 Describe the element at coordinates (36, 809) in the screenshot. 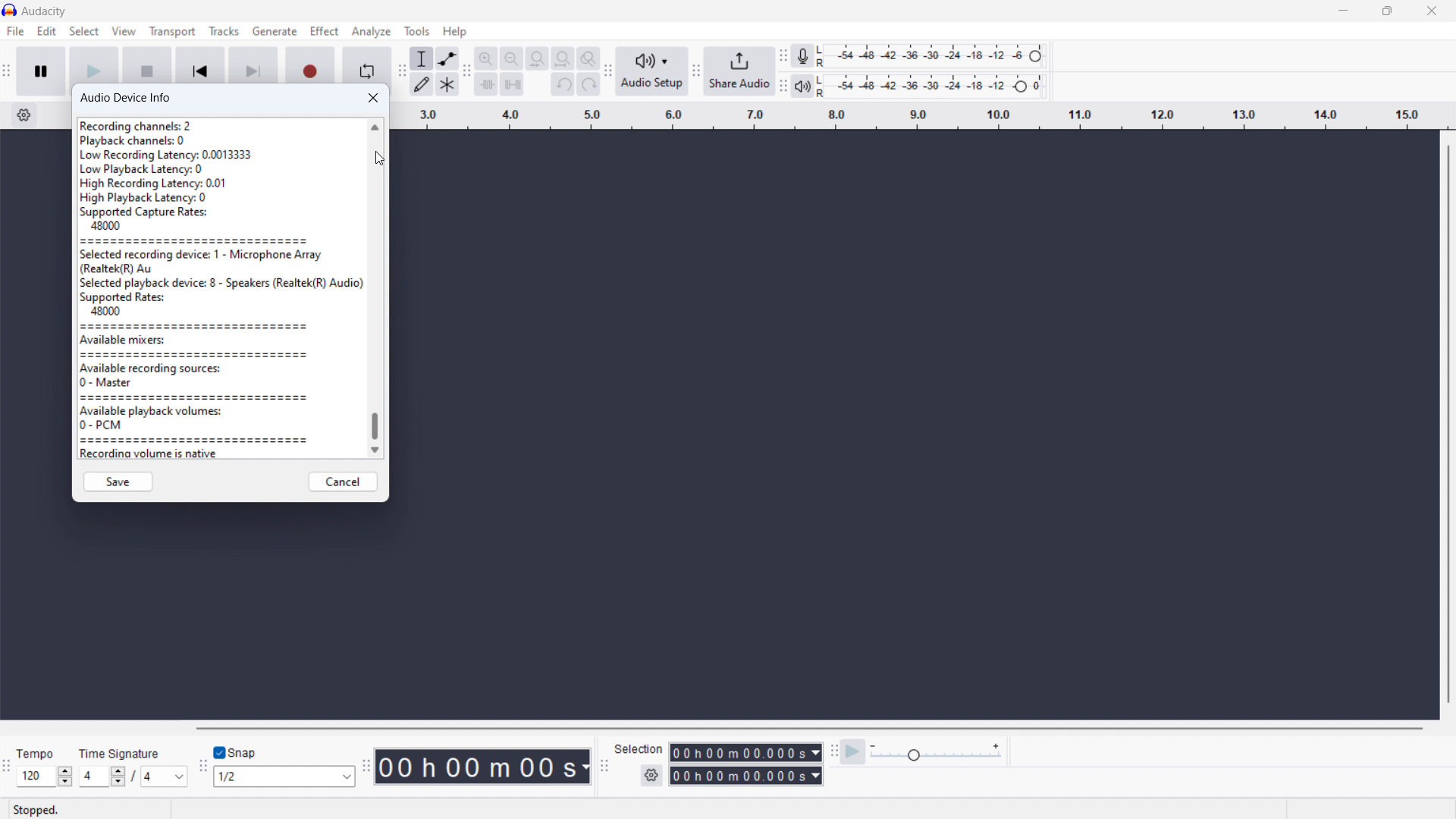

I see `Stopped` at that location.